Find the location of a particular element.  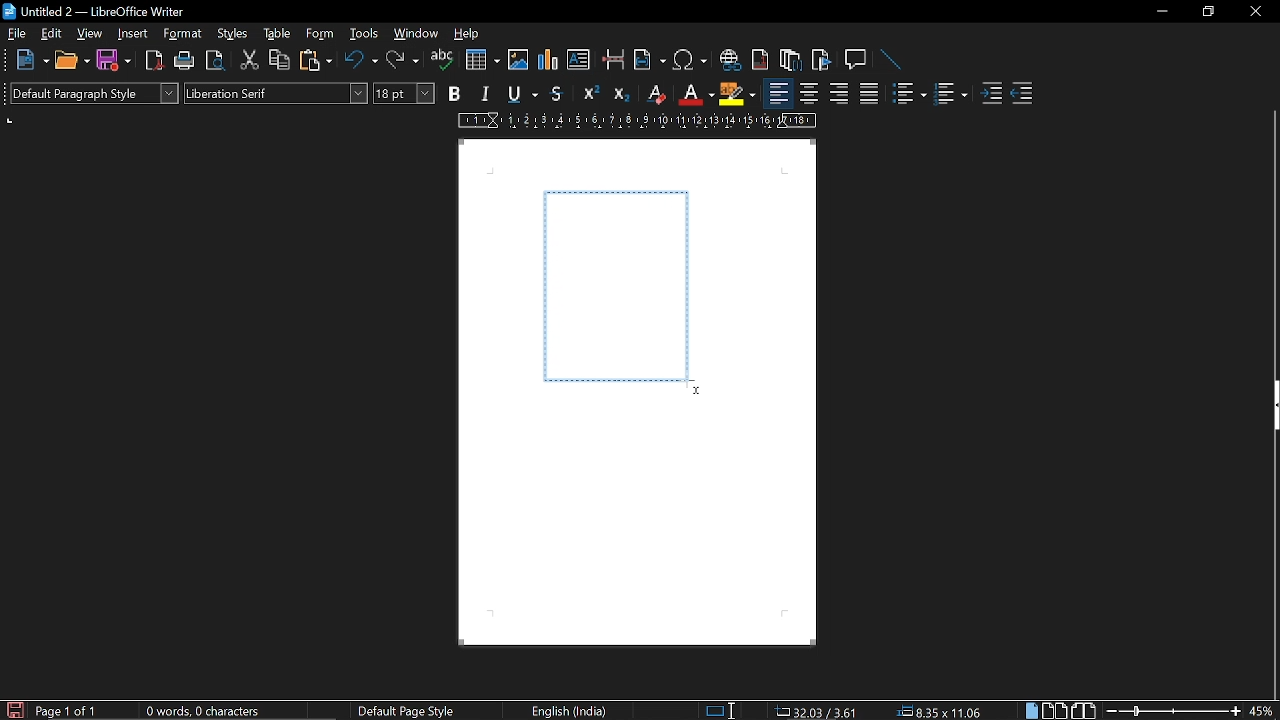

undo is located at coordinates (362, 61).